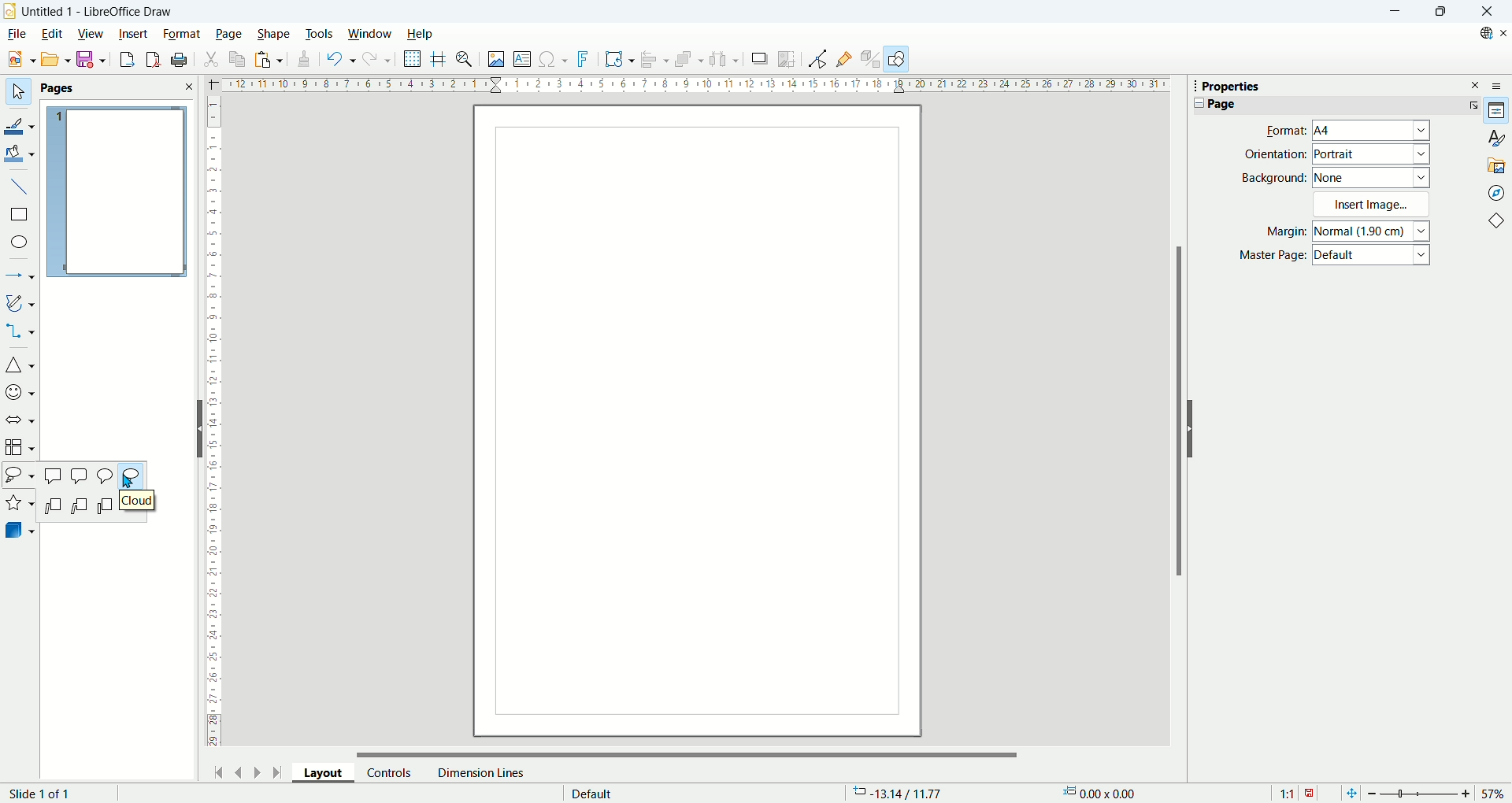 This screenshot has height=803, width=1512. I want to click on Close document, so click(1503, 33).